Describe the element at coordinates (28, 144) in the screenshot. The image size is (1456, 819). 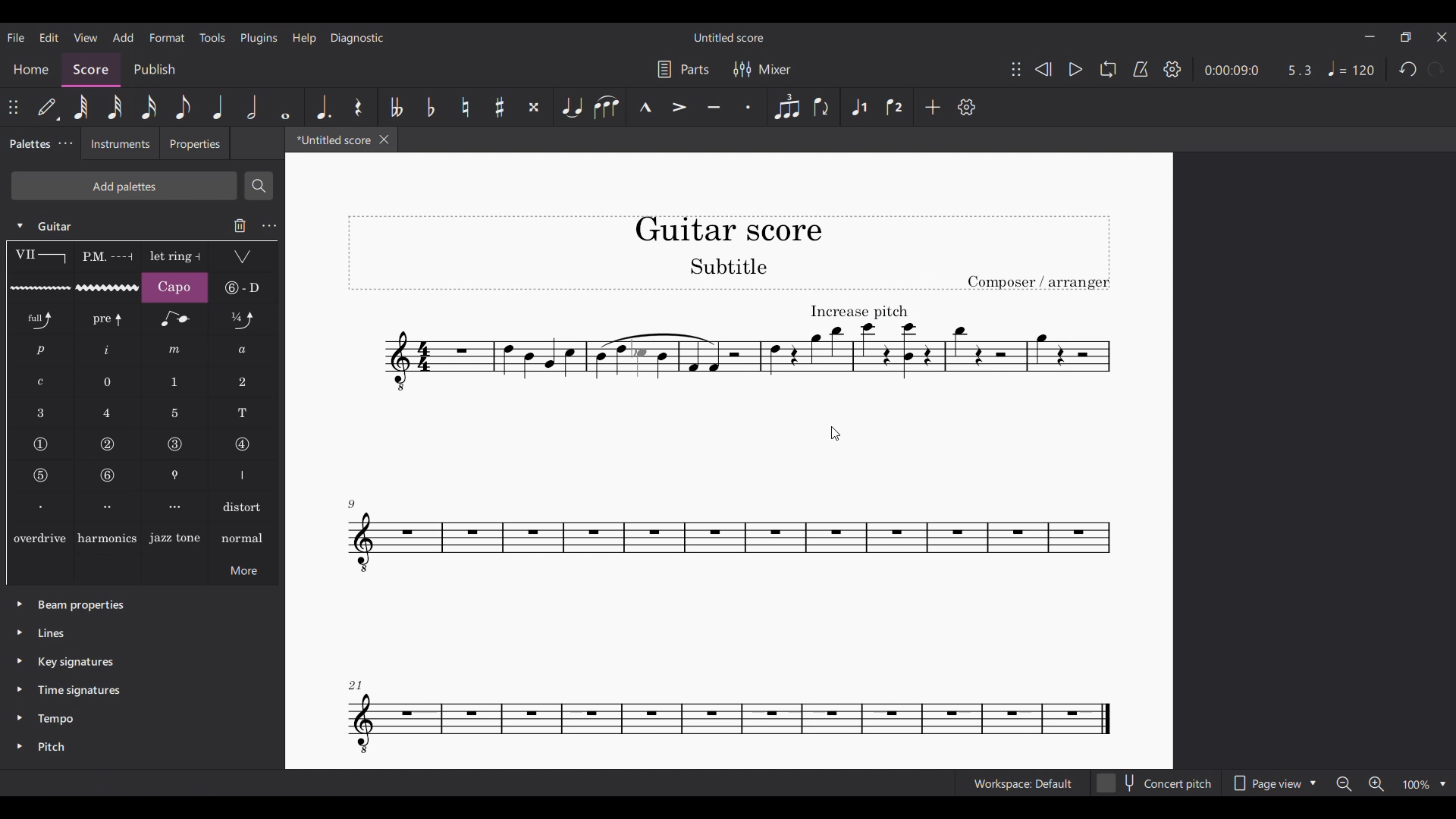
I see `Palettes, current tab` at that location.